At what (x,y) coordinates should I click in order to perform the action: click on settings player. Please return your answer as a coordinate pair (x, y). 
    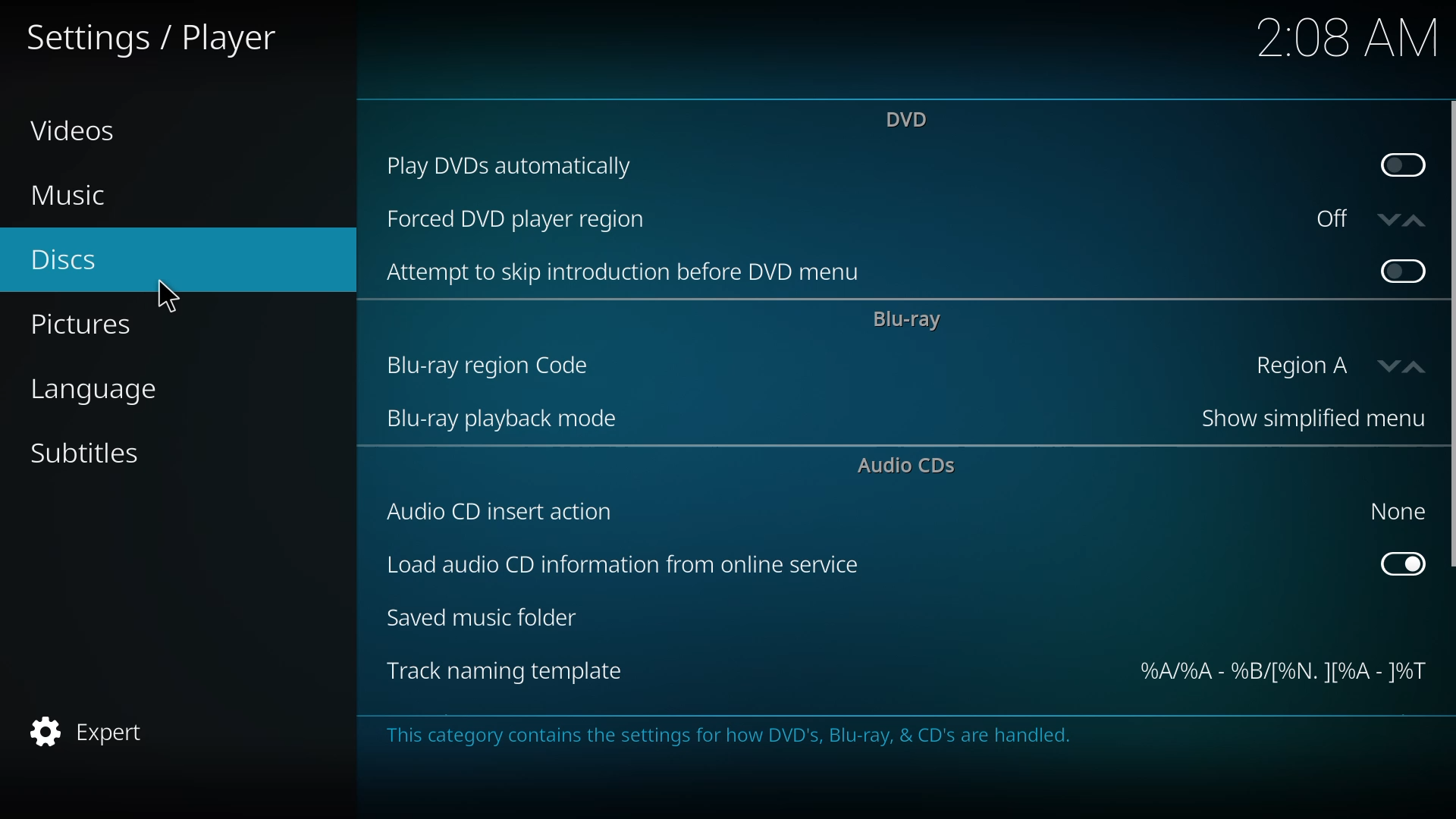
    Looking at the image, I should click on (160, 36).